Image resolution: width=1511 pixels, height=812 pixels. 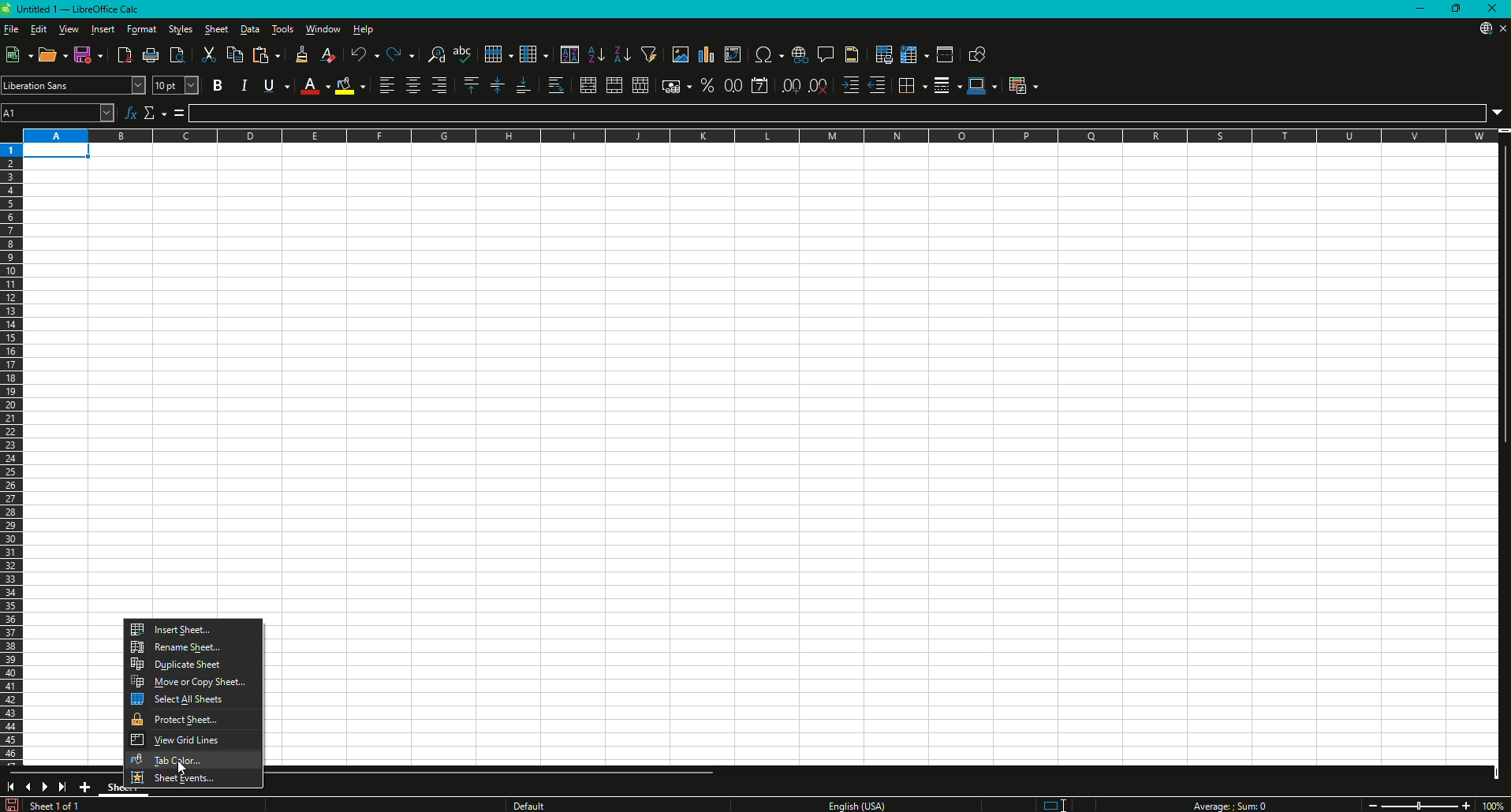 What do you see at coordinates (979, 53) in the screenshot?
I see `Show Draw Function` at bounding box center [979, 53].